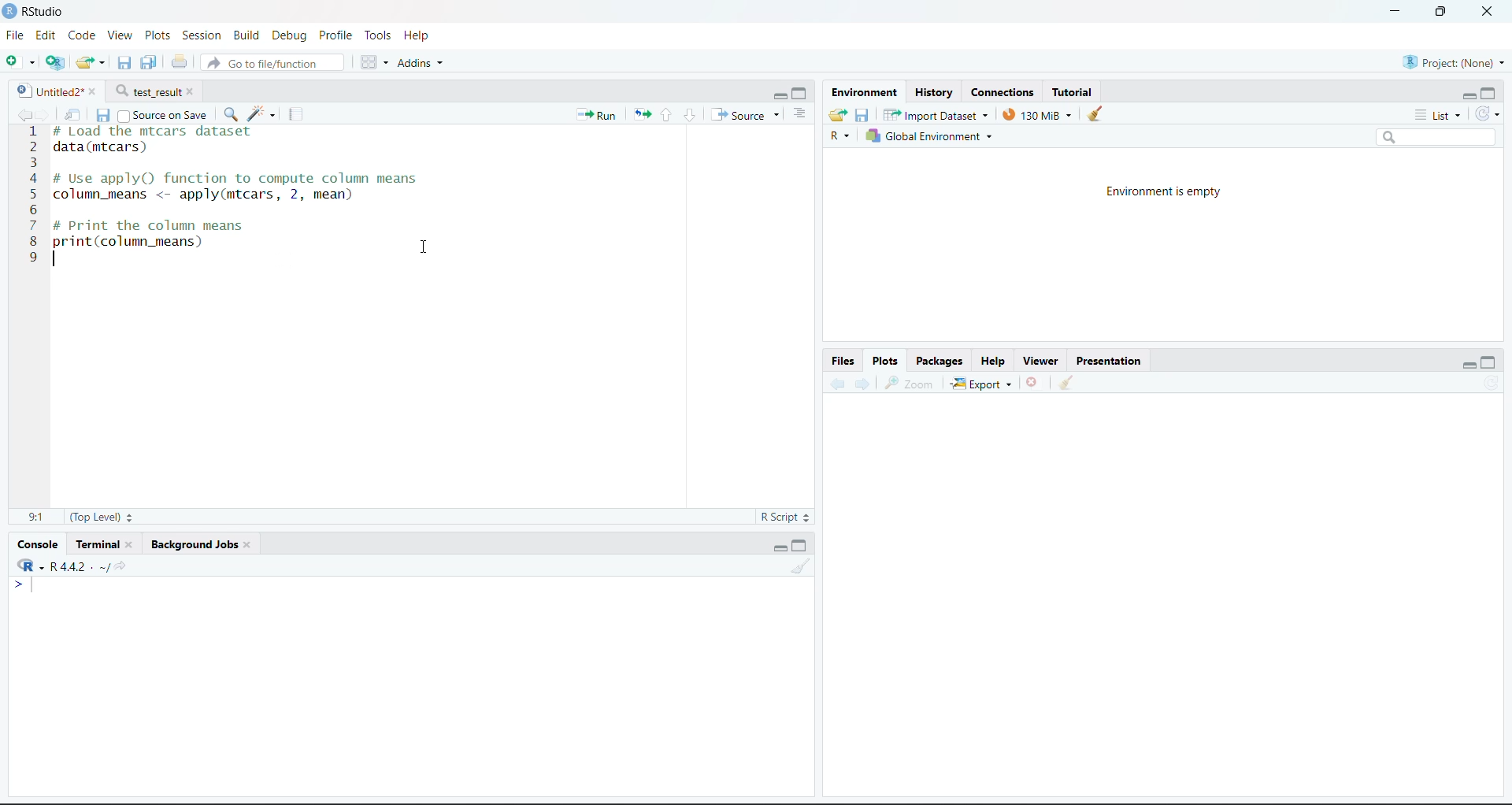  Describe the element at coordinates (1459, 94) in the screenshot. I see `Minimize` at that location.